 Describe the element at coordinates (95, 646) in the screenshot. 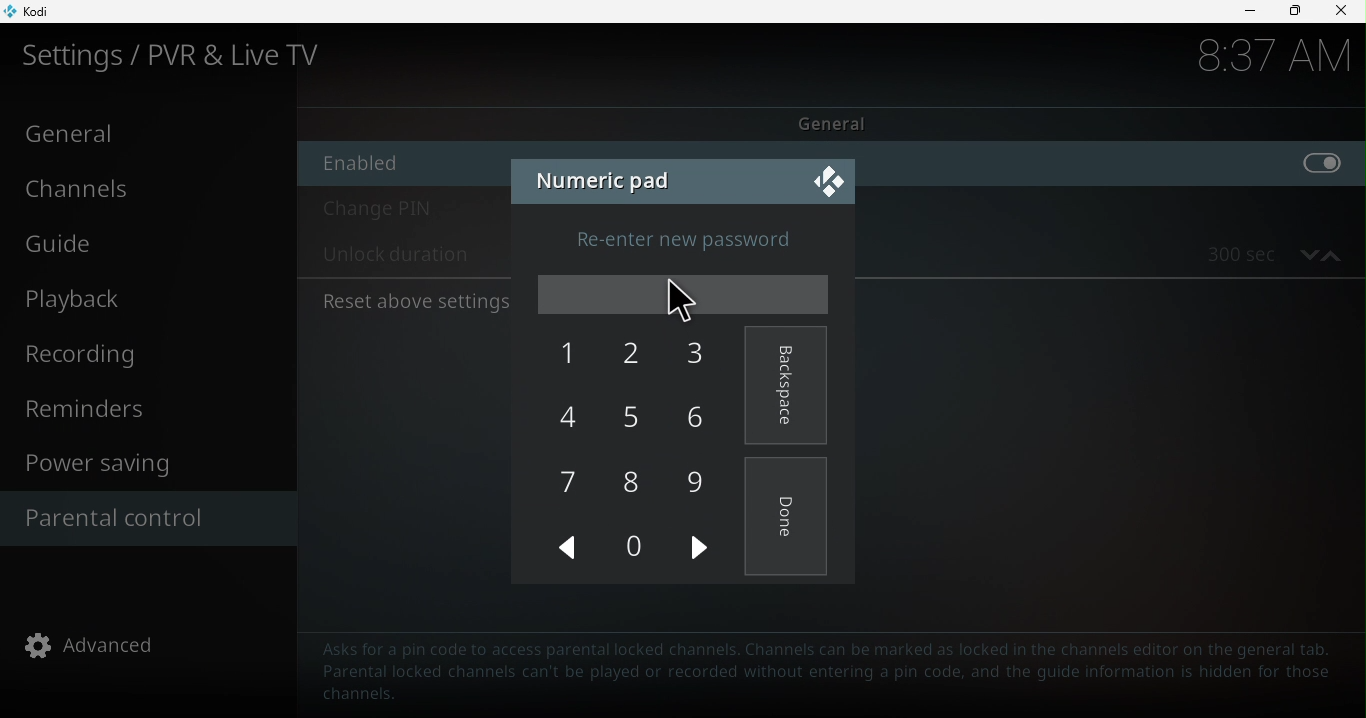

I see `advanced` at that location.